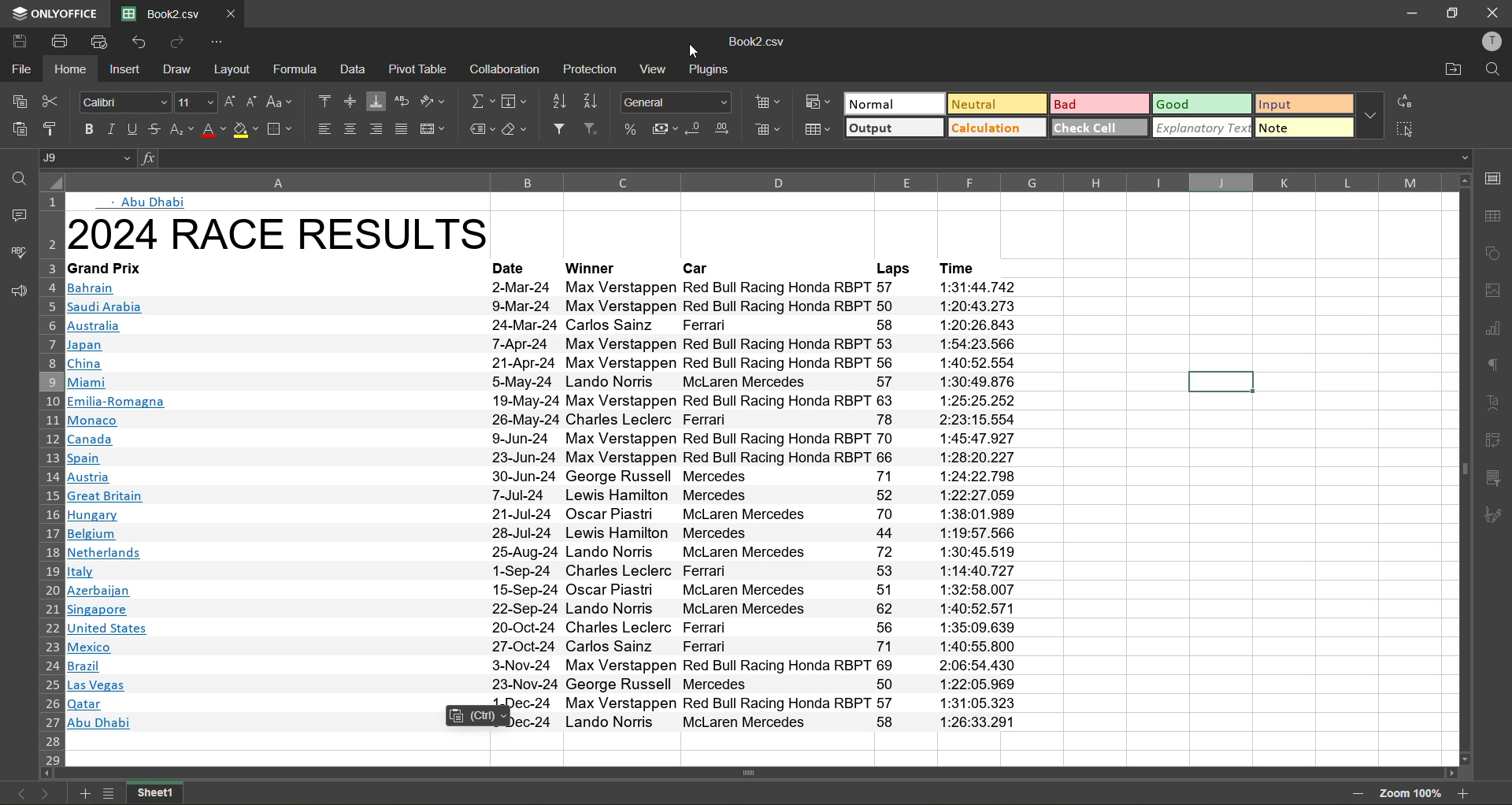  Describe the element at coordinates (758, 43) in the screenshot. I see `type changed` at that location.